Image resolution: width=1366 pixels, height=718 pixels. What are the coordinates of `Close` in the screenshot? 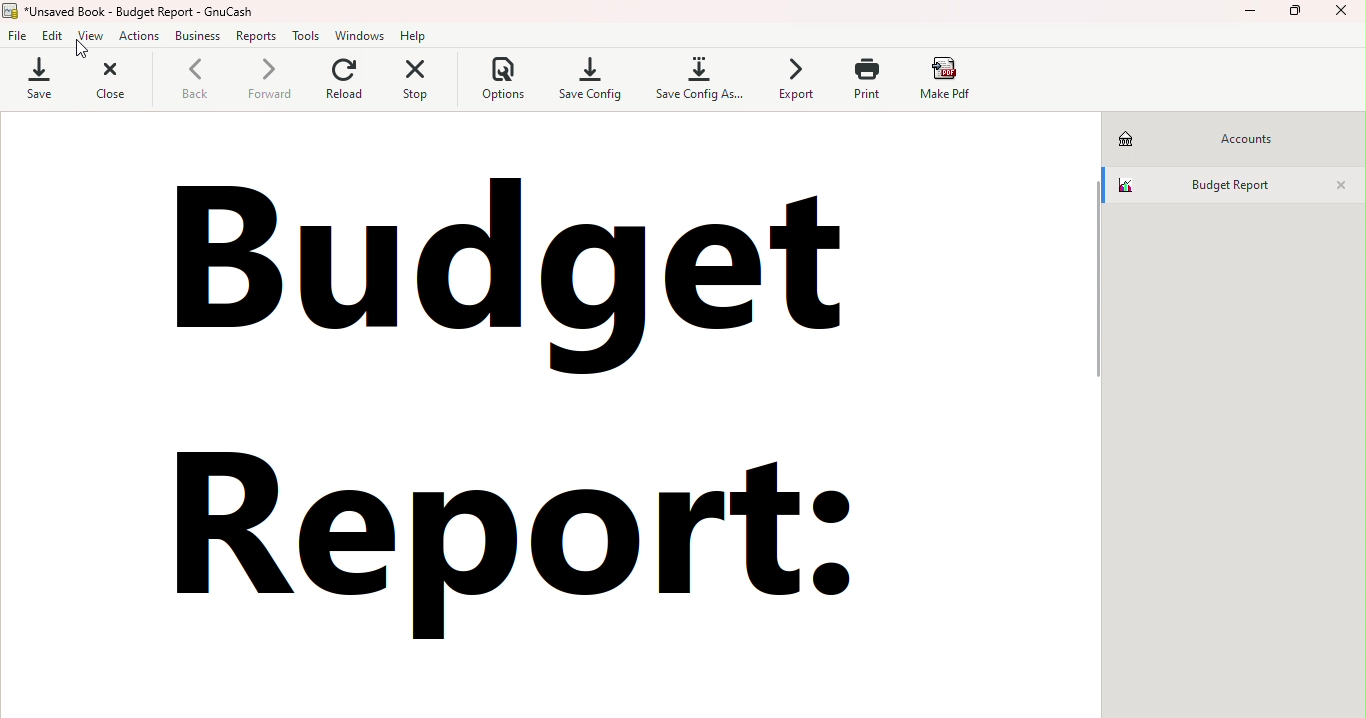 It's located at (1346, 17).